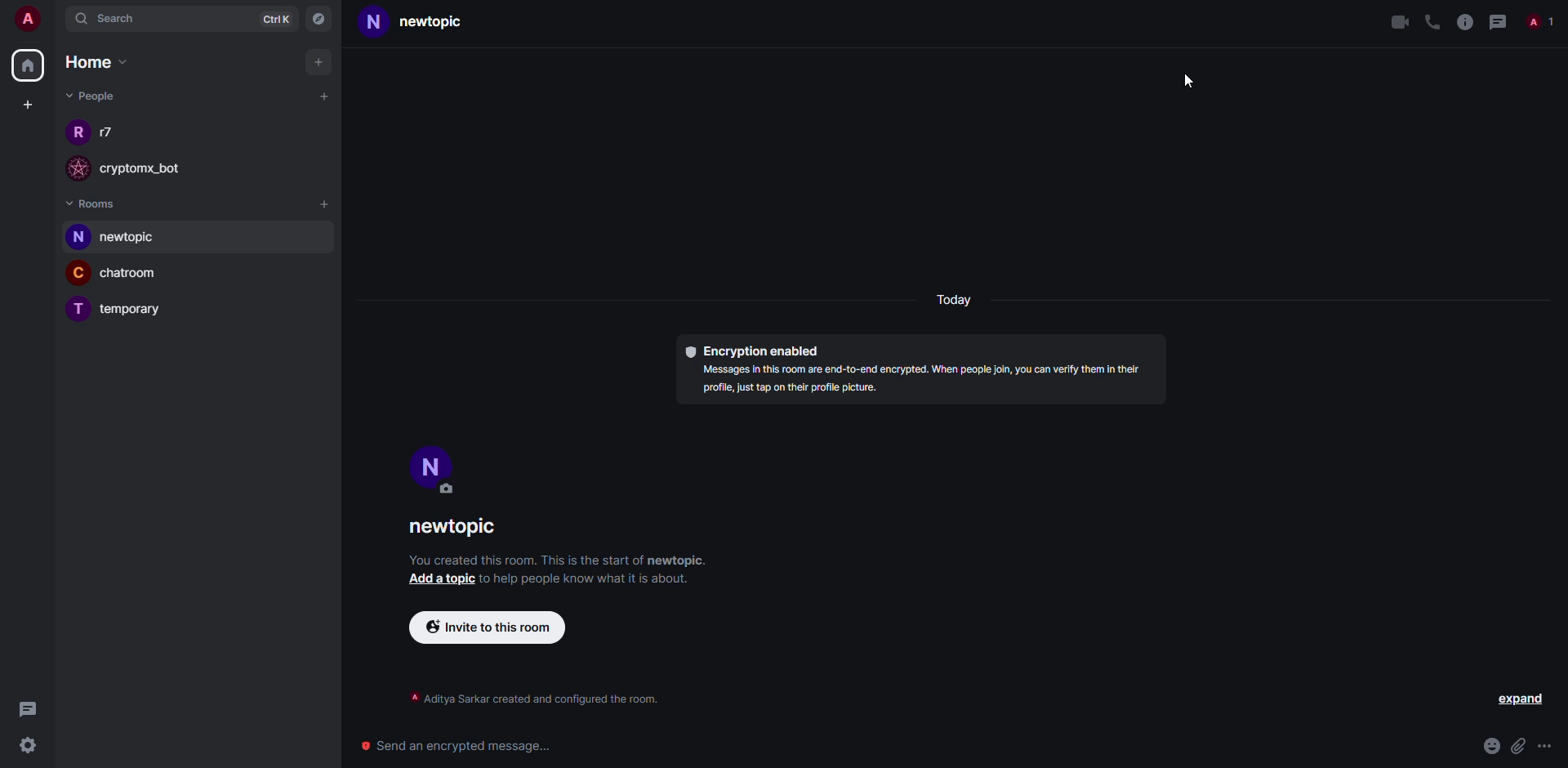 Image resolution: width=1568 pixels, height=768 pixels. I want to click on attach, so click(1518, 746).